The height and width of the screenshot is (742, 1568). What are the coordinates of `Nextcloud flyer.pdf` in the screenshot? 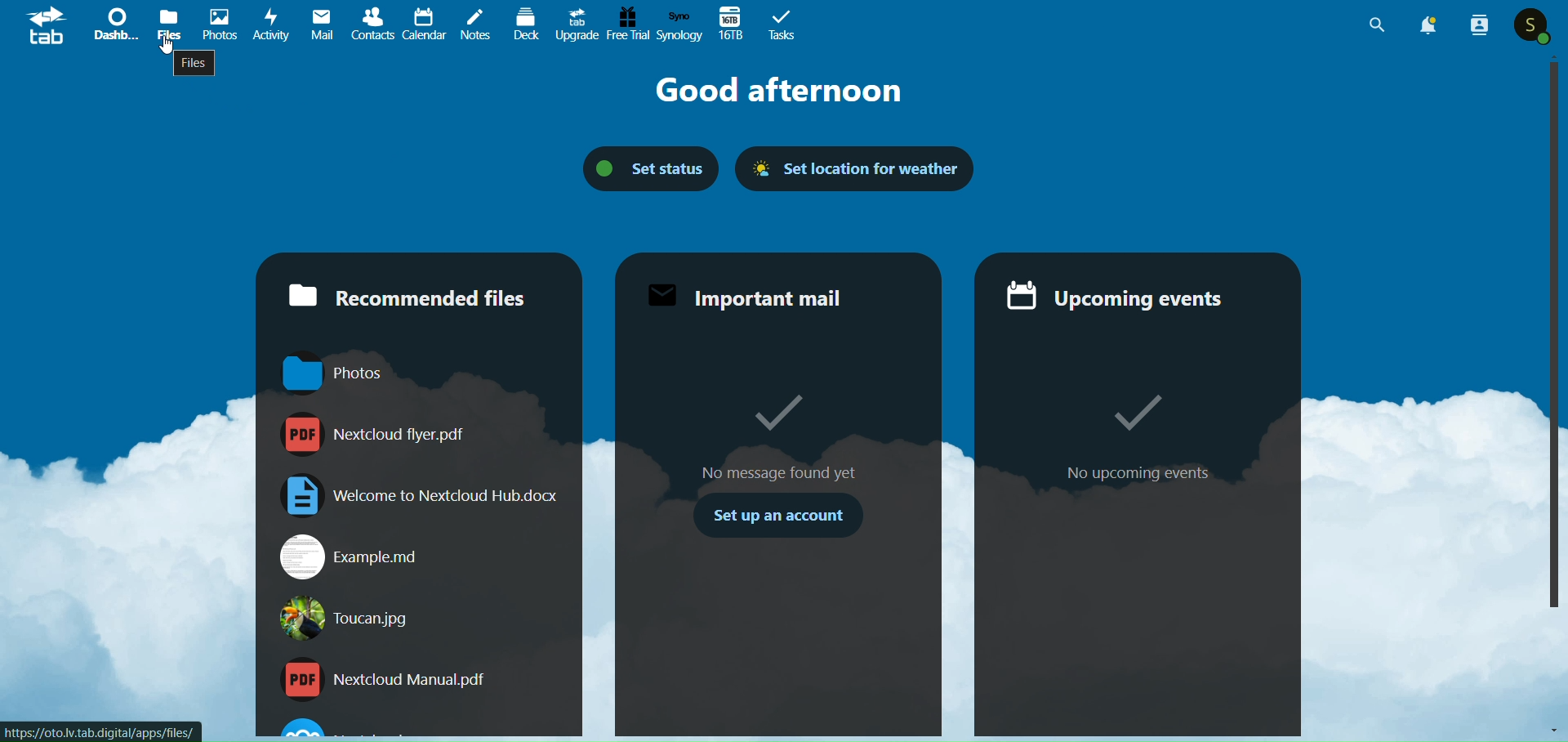 It's located at (421, 435).